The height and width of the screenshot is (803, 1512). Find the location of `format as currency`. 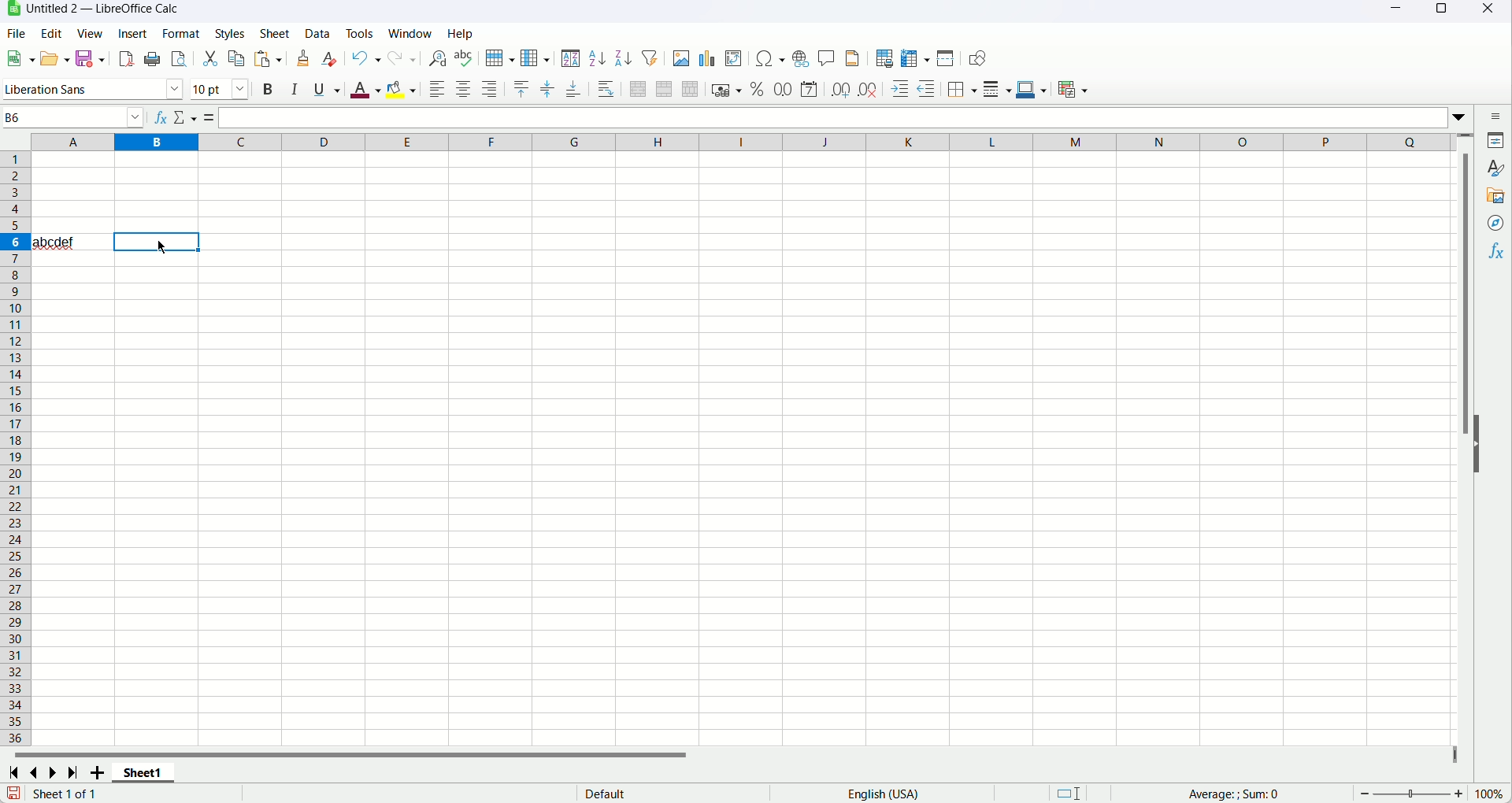

format as currency is located at coordinates (728, 88).